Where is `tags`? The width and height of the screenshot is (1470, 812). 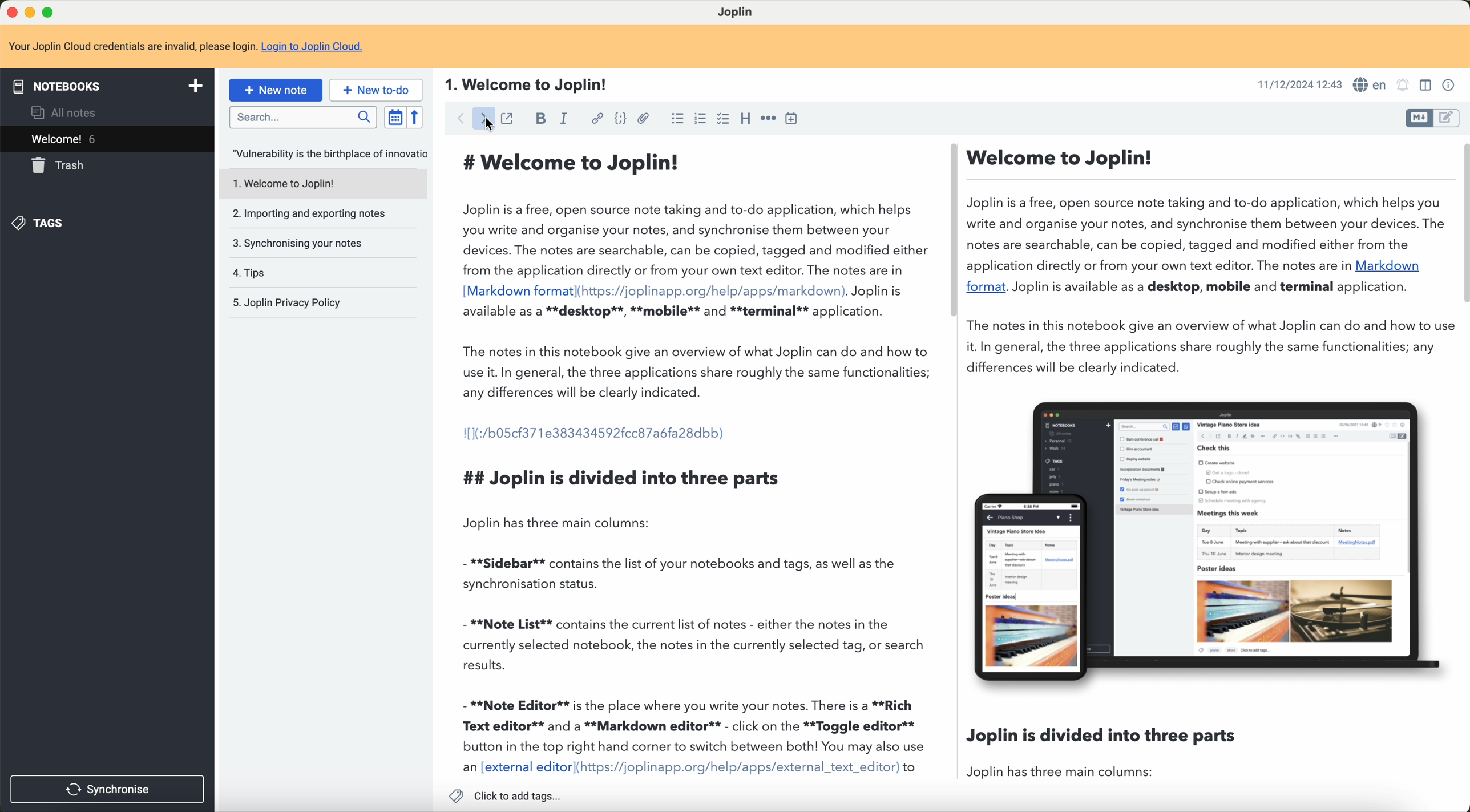
tags is located at coordinates (41, 224).